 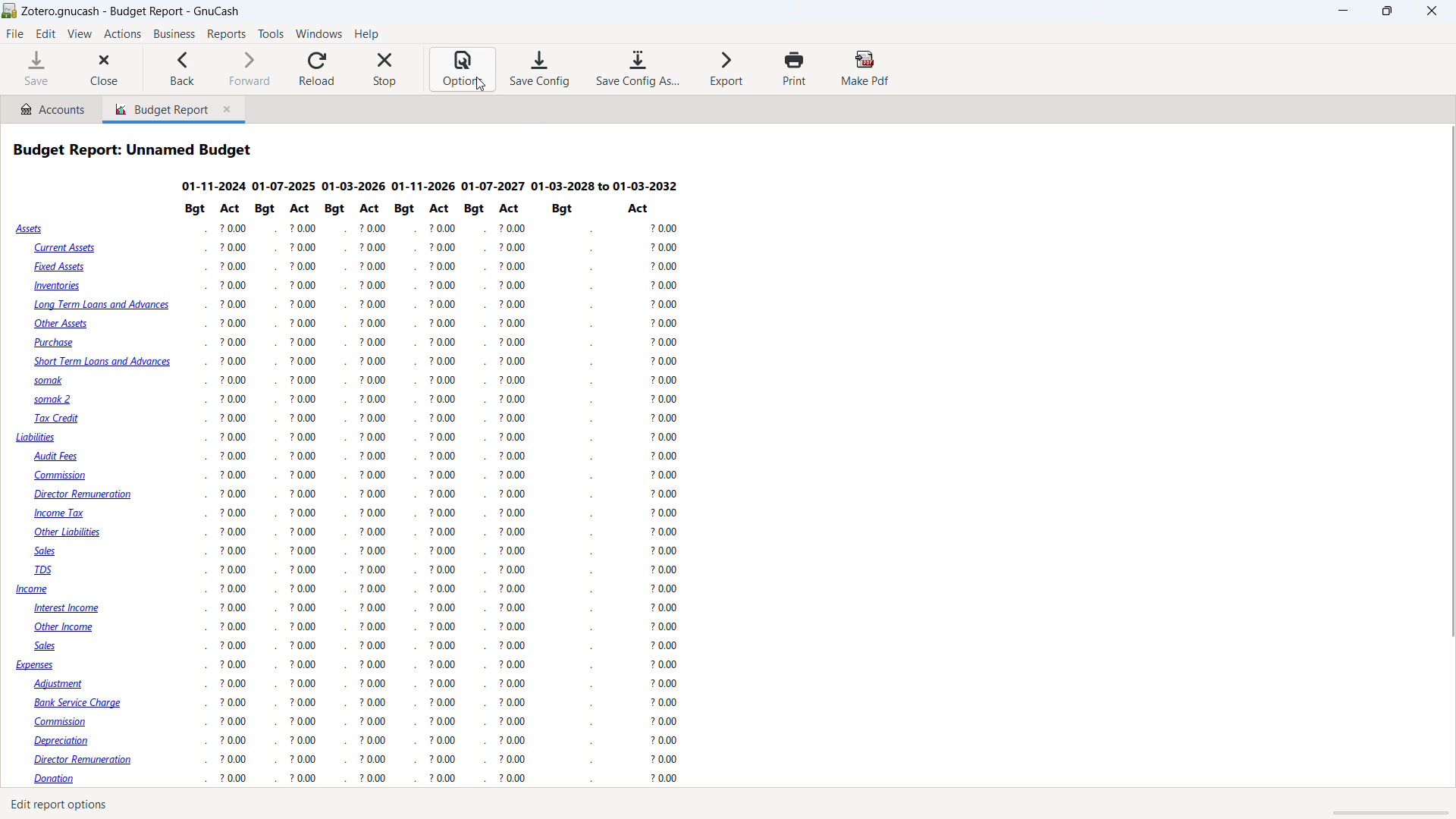 I want to click on Adjustment, so click(x=65, y=683).